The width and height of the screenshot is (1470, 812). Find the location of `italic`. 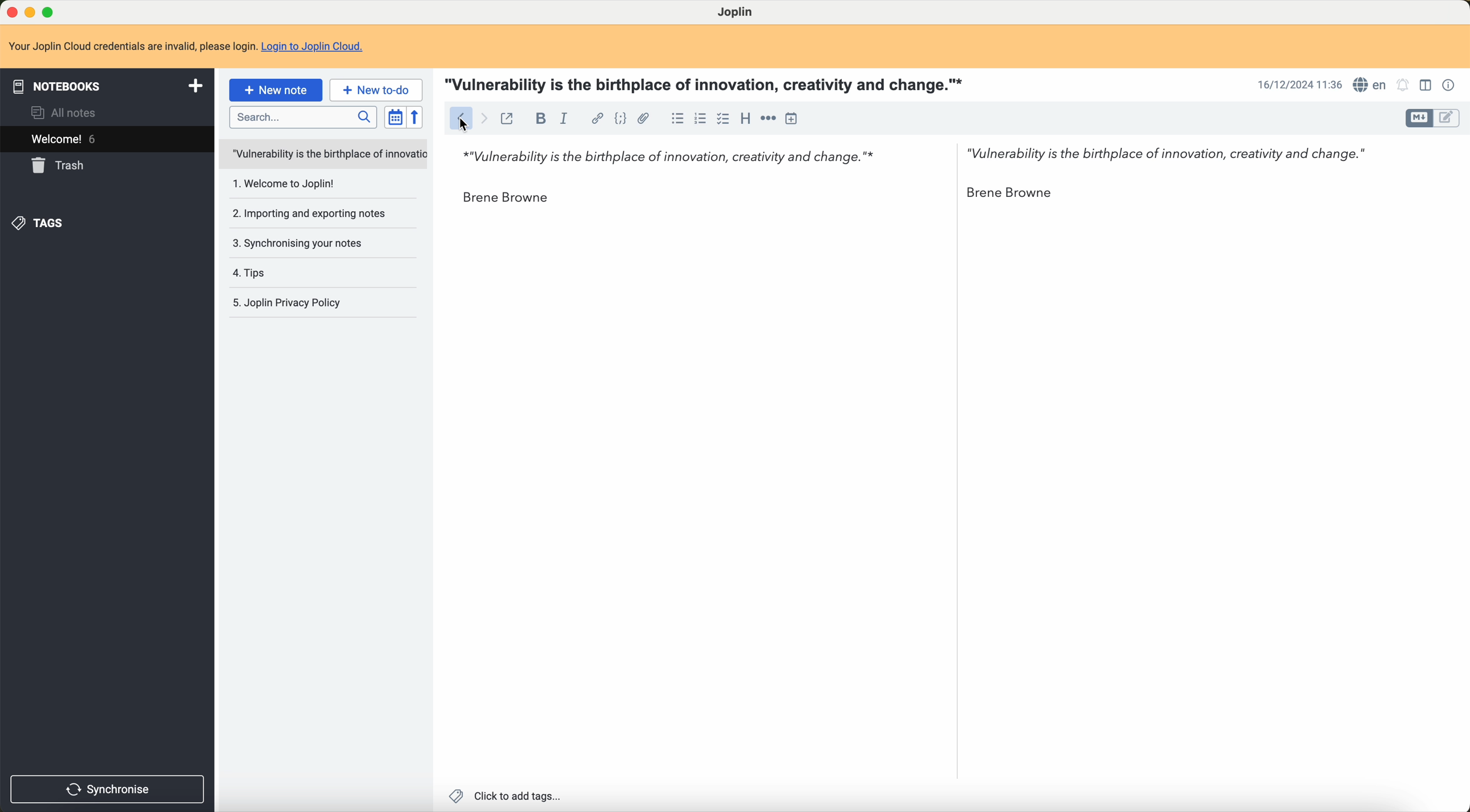

italic is located at coordinates (567, 118).